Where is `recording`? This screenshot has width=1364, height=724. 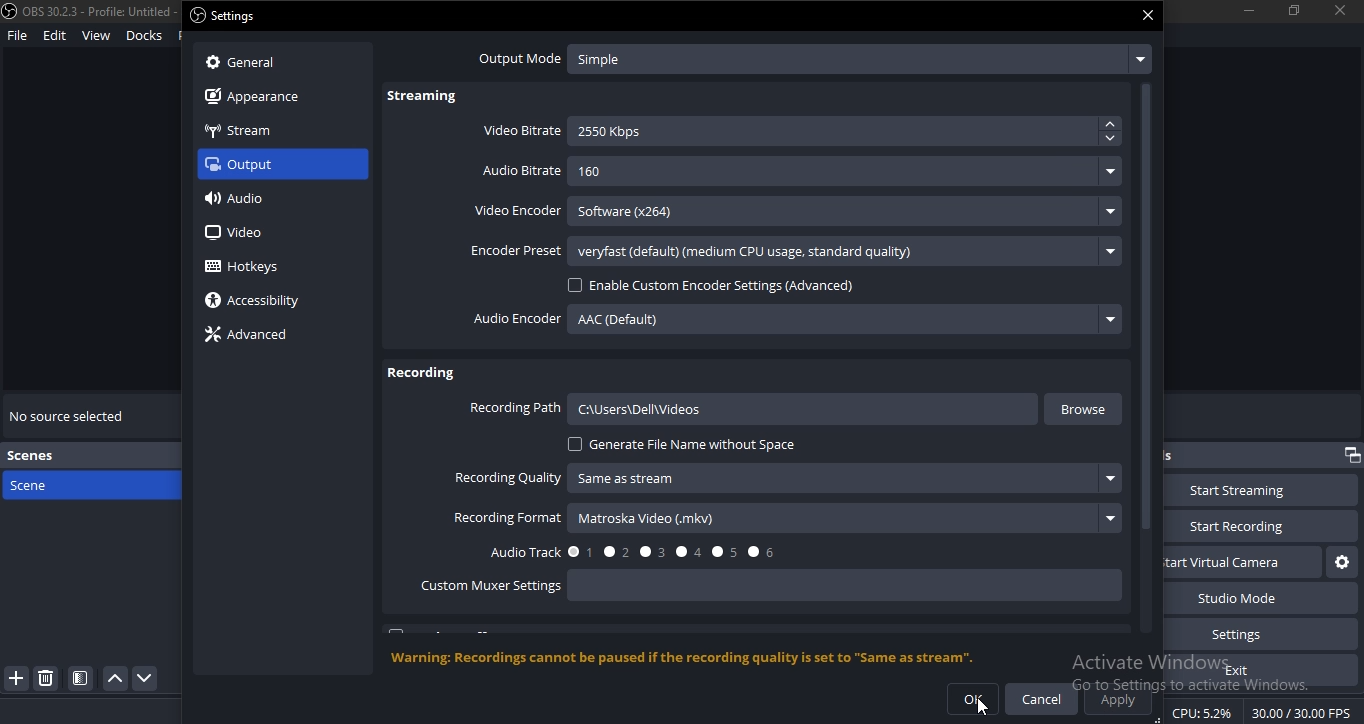 recording is located at coordinates (420, 370).